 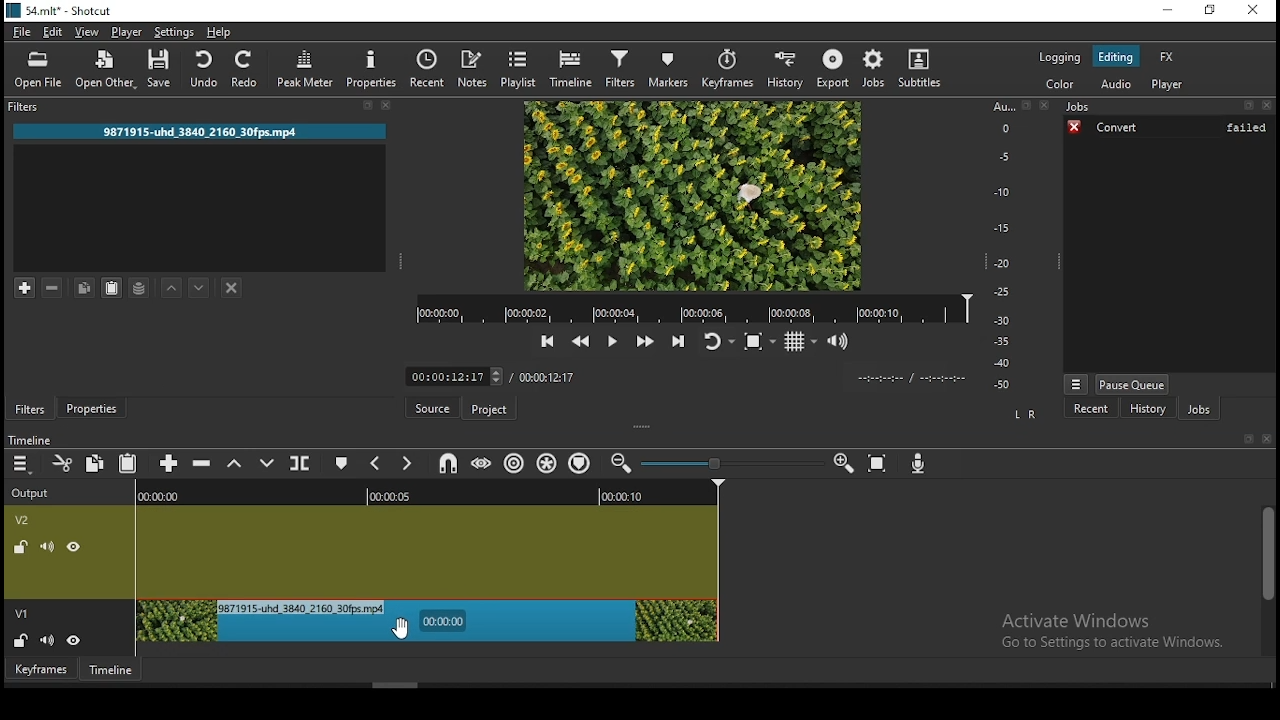 I want to click on jobs menu, so click(x=1077, y=384).